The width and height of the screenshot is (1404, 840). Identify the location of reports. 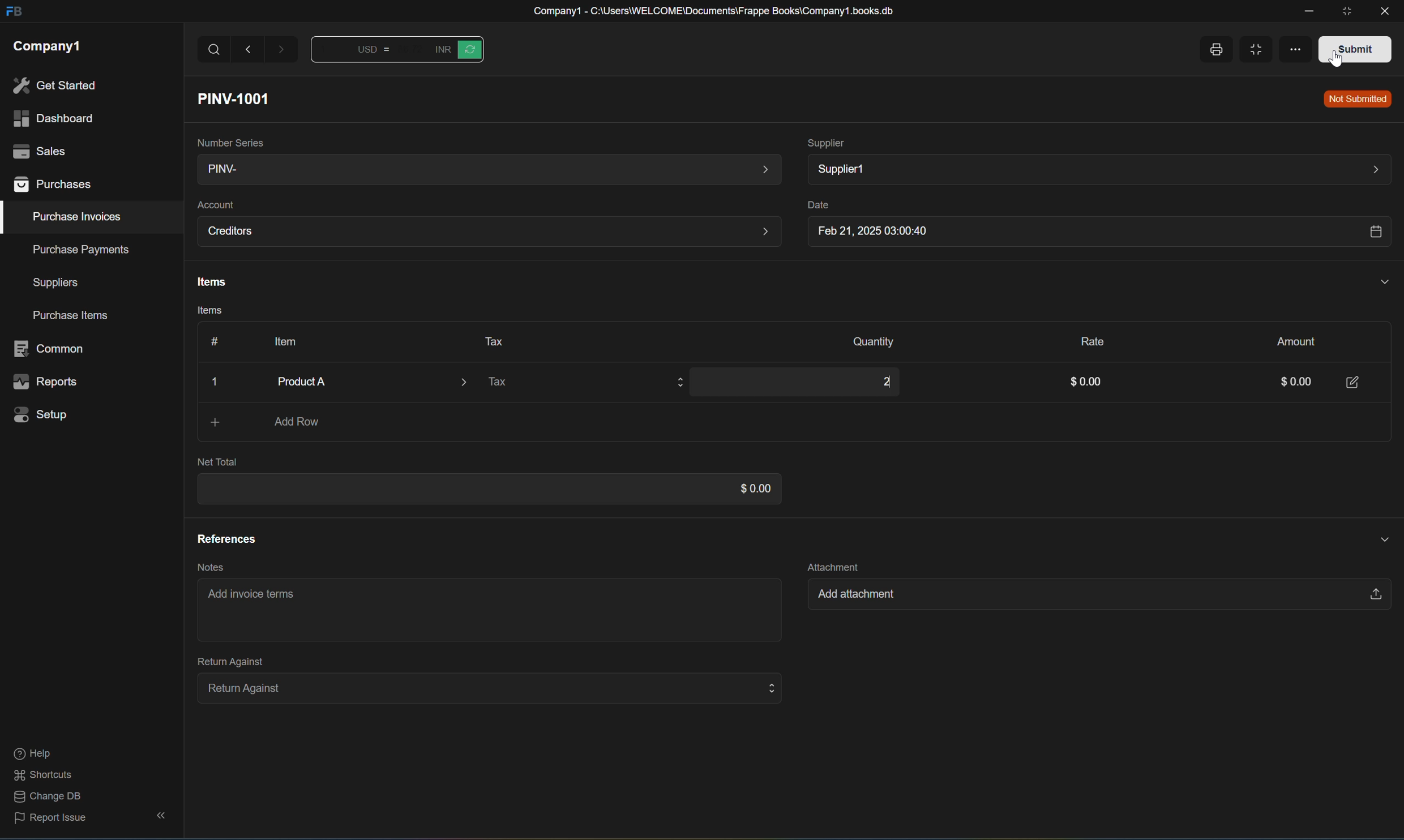
(46, 383).